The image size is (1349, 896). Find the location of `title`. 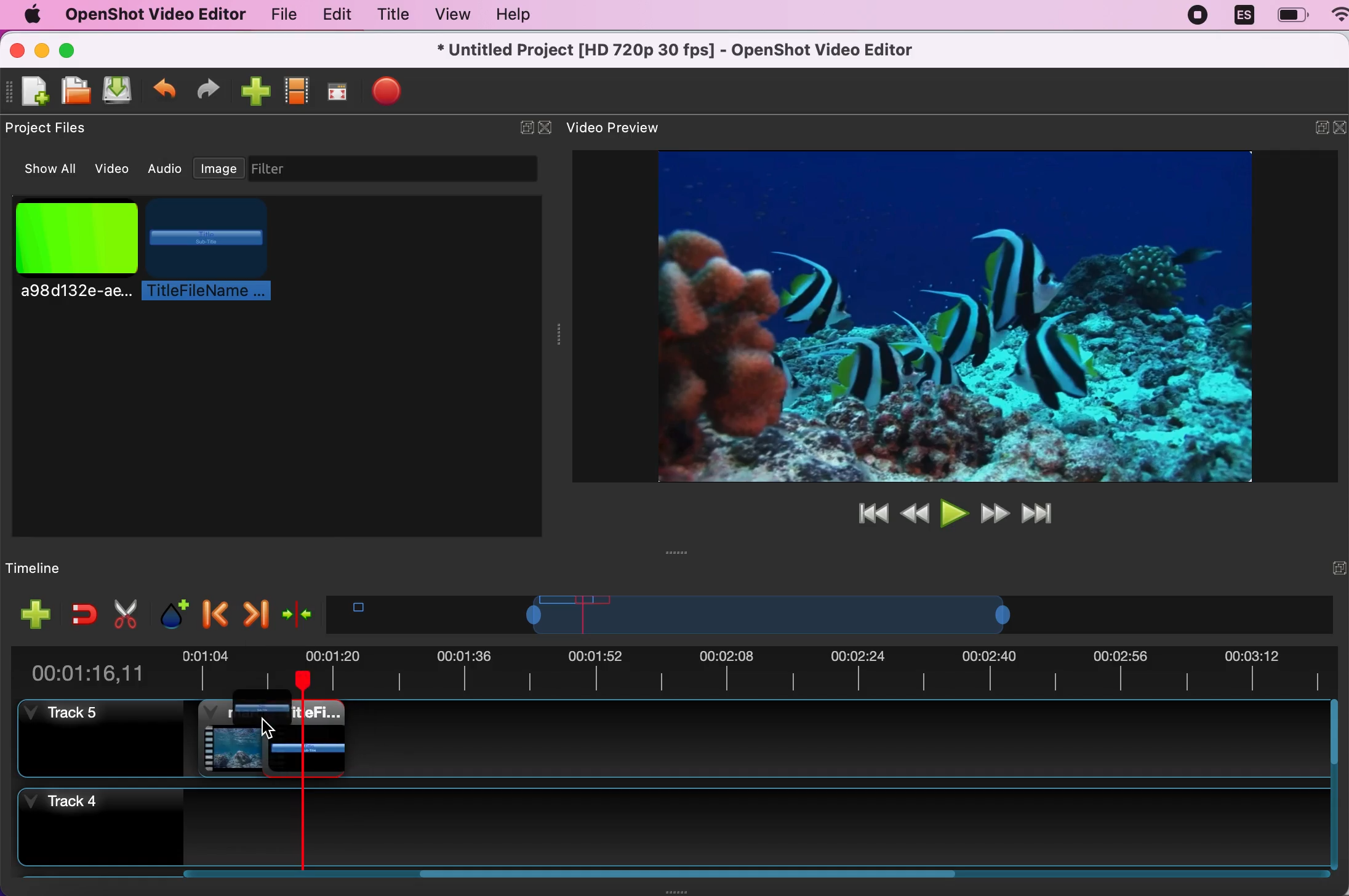

title is located at coordinates (207, 250).